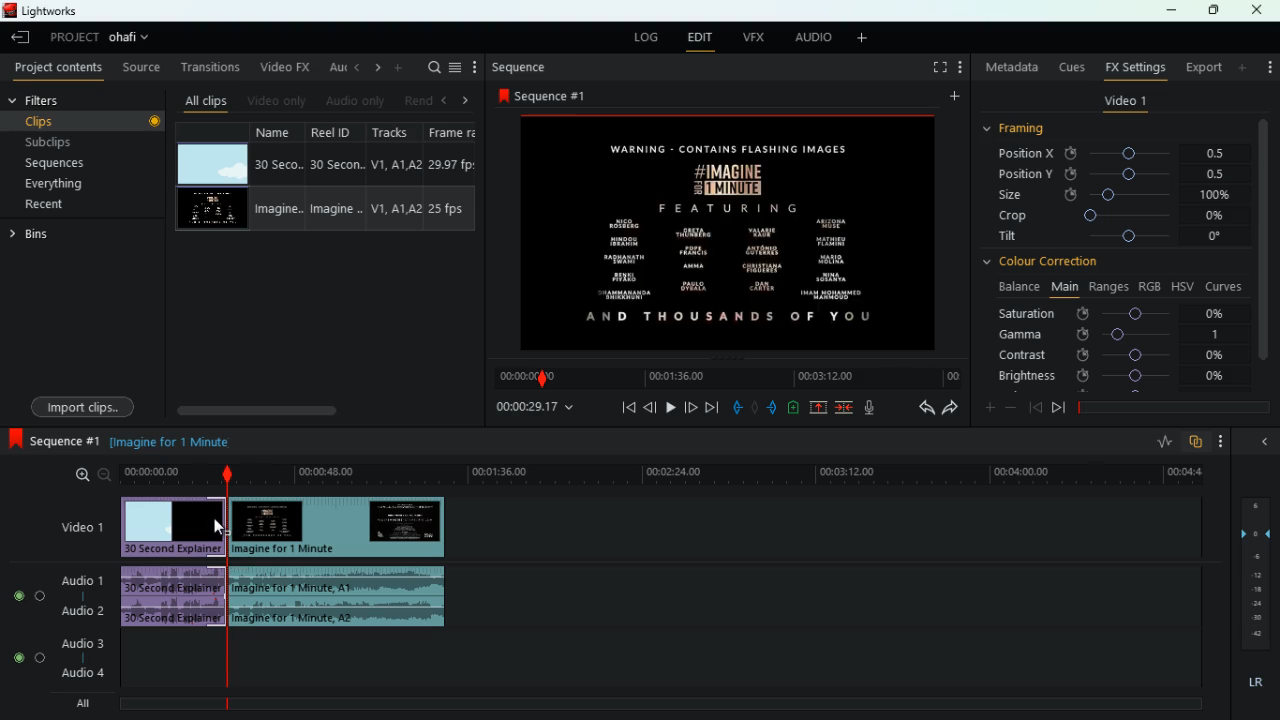 Image resolution: width=1280 pixels, height=720 pixels. What do you see at coordinates (1125, 104) in the screenshot?
I see `video 1` at bounding box center [1125, 104].